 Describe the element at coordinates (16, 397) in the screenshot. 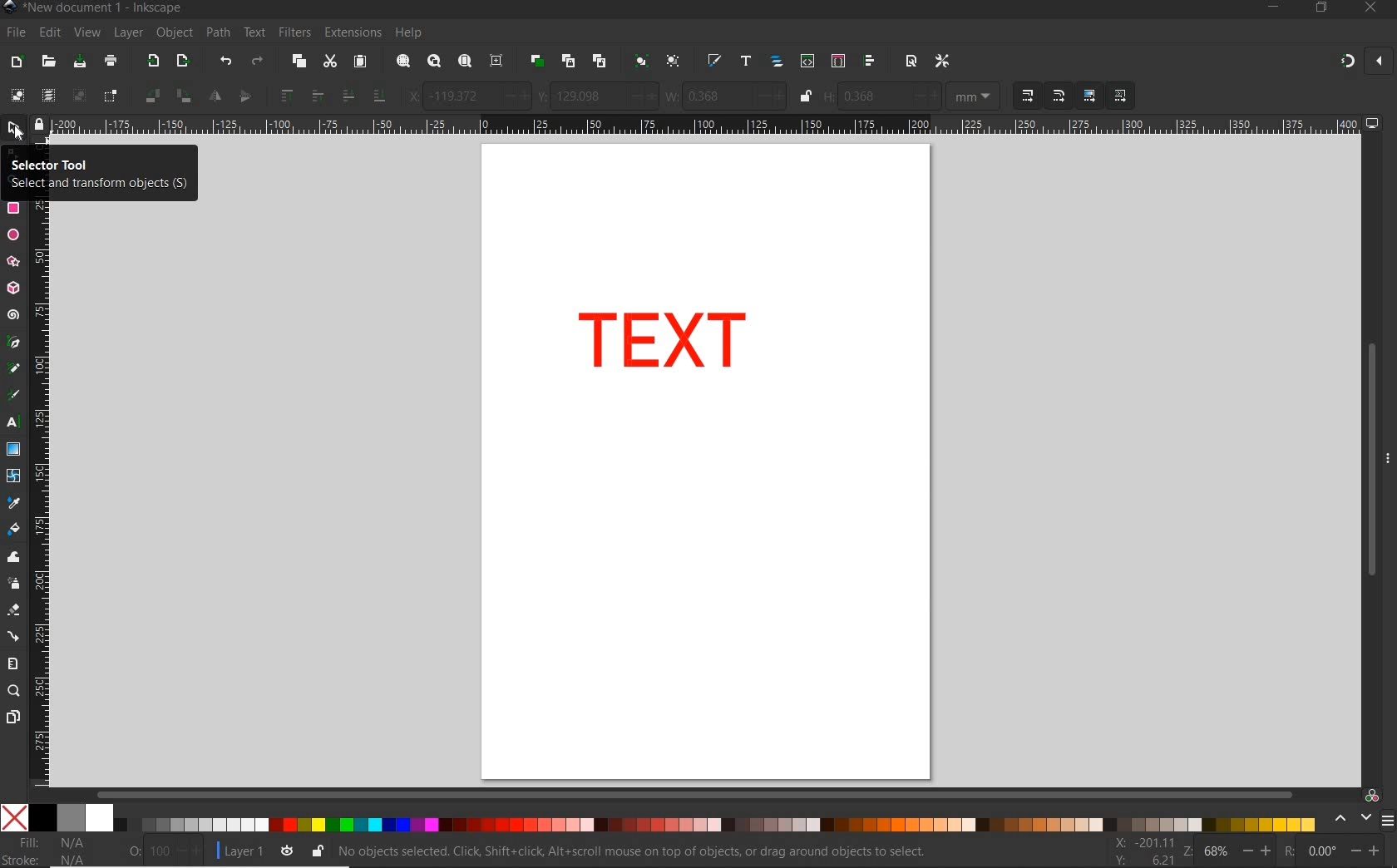

I see `CALLIGRAPHY TOOL` at that location.